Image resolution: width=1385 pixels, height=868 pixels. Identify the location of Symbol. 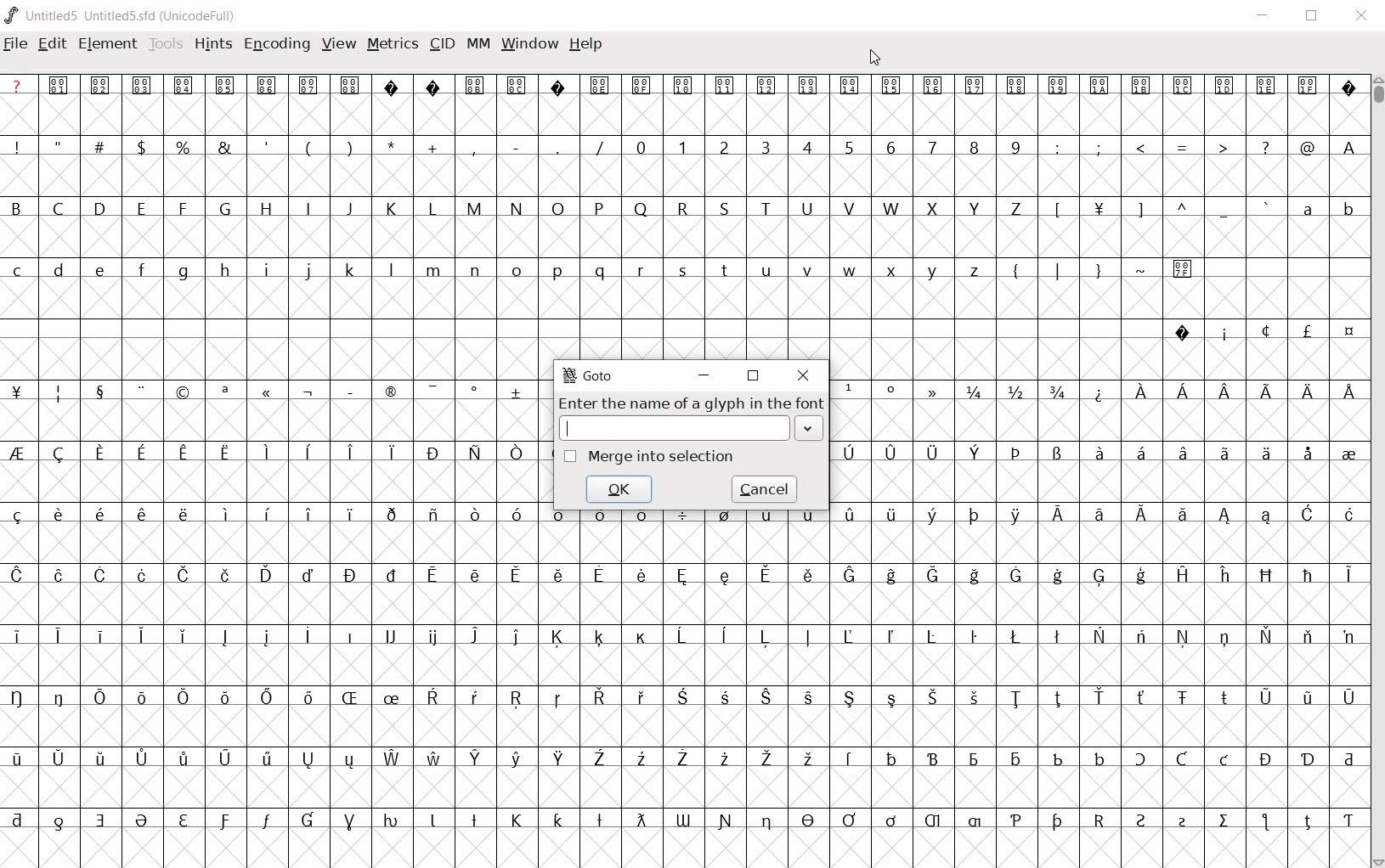
(726, 85).